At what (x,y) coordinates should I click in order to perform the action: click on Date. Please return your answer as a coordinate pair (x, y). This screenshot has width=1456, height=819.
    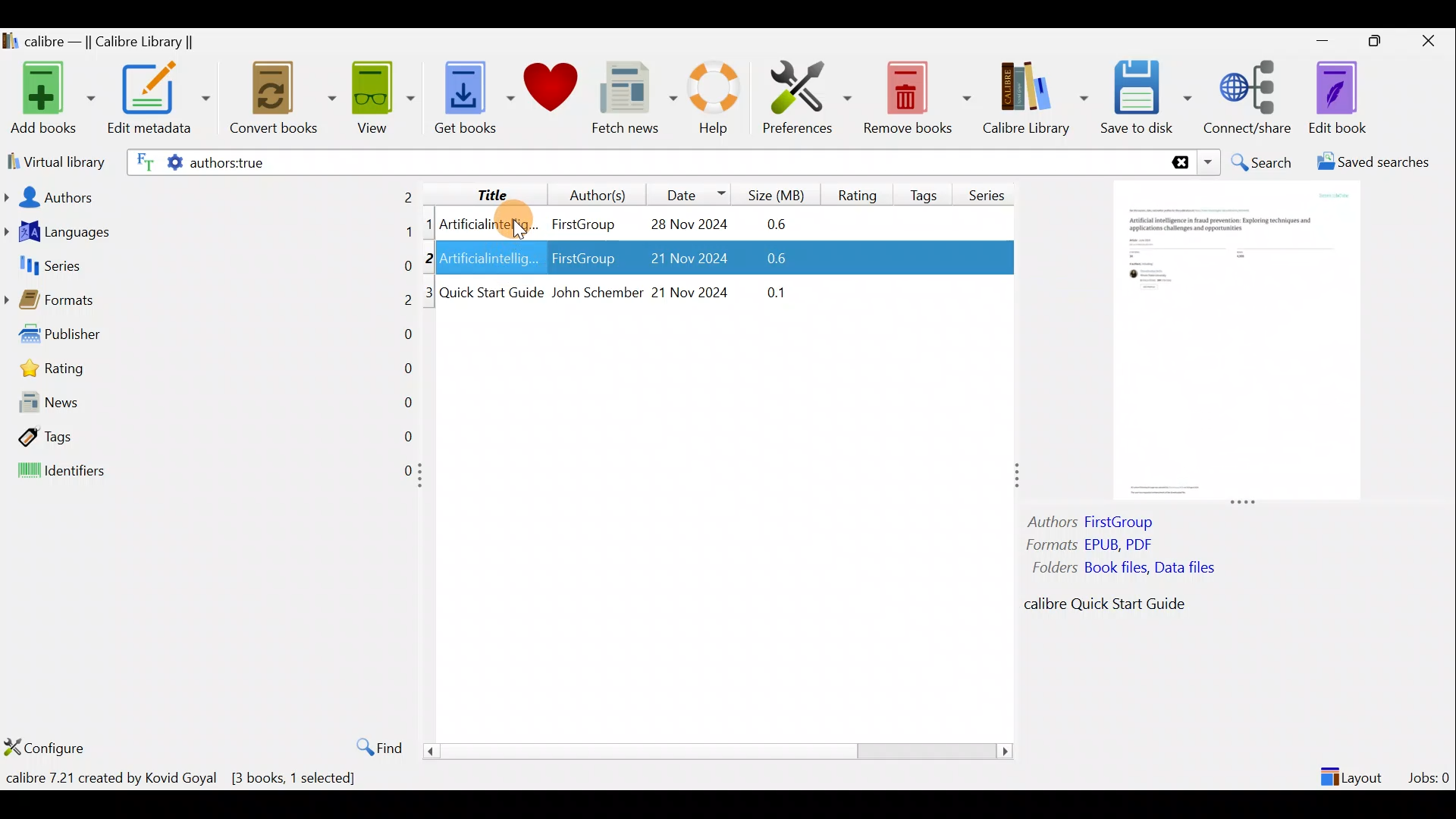
    Looking at the image, I should click on (689, 194).